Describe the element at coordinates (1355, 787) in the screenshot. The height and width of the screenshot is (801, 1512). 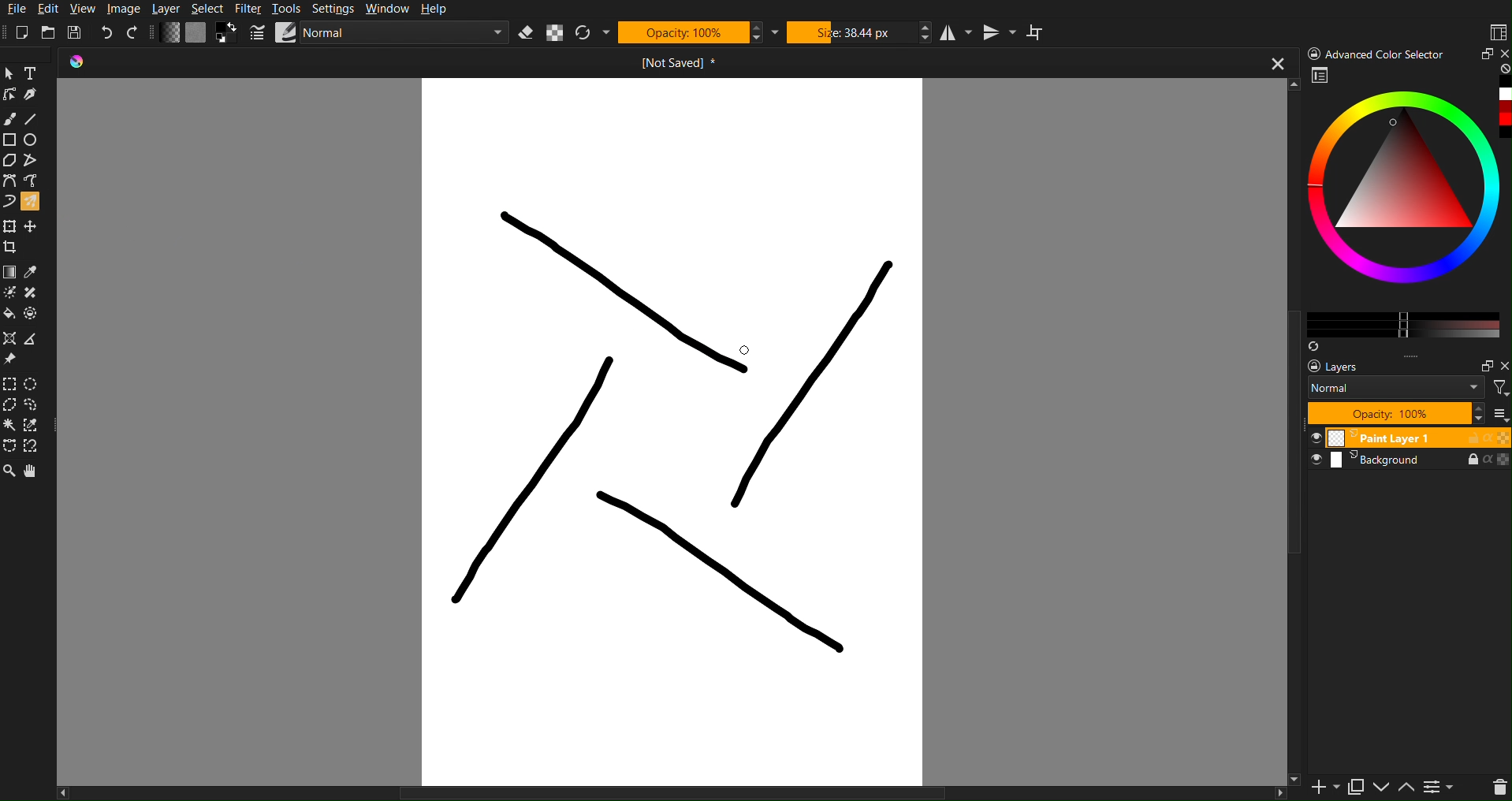
I see `copy` at that location.